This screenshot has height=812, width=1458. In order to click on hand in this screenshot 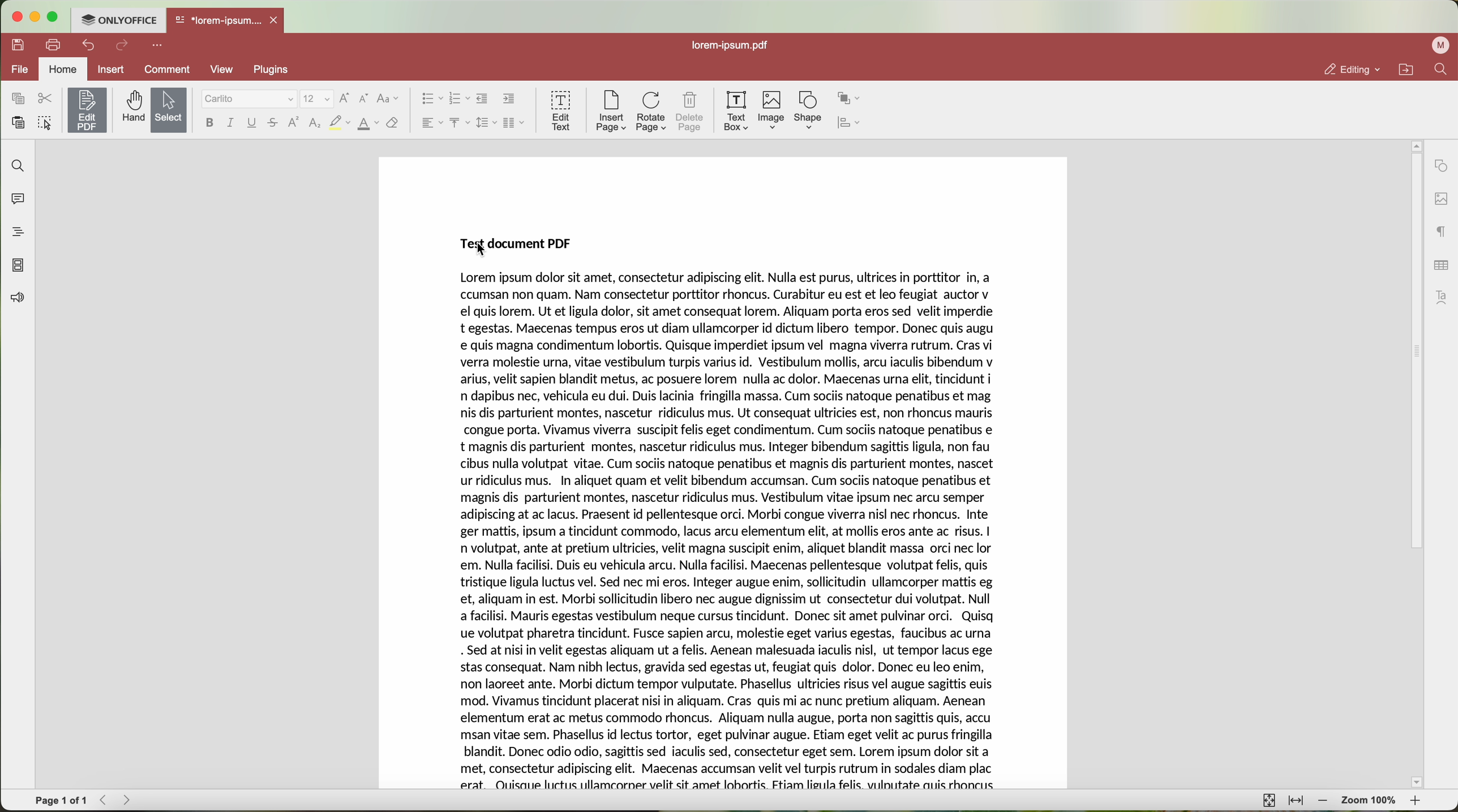, I will do `click(131, 108)`.